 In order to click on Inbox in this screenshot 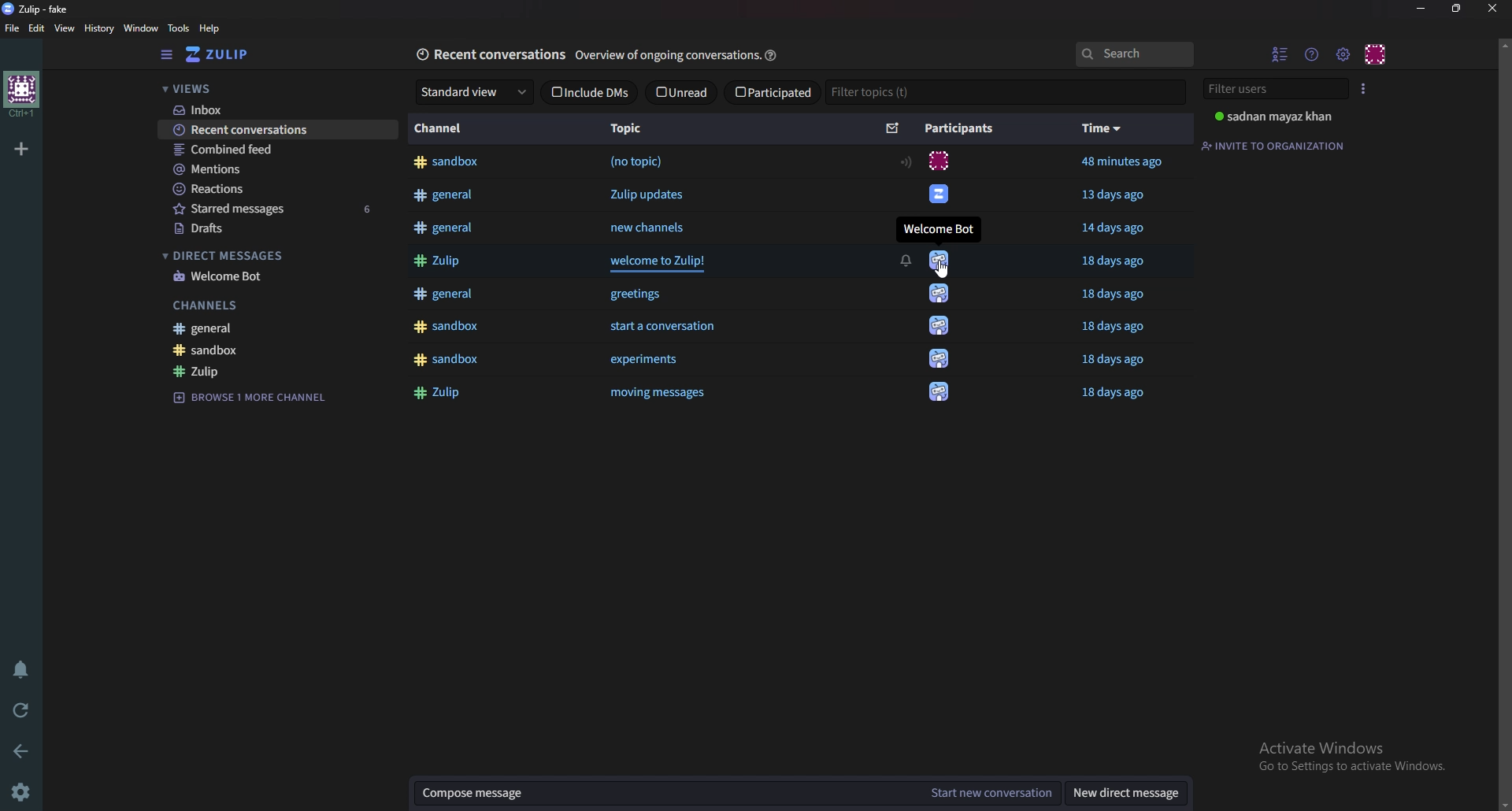, I will do `click(270, 109)`.